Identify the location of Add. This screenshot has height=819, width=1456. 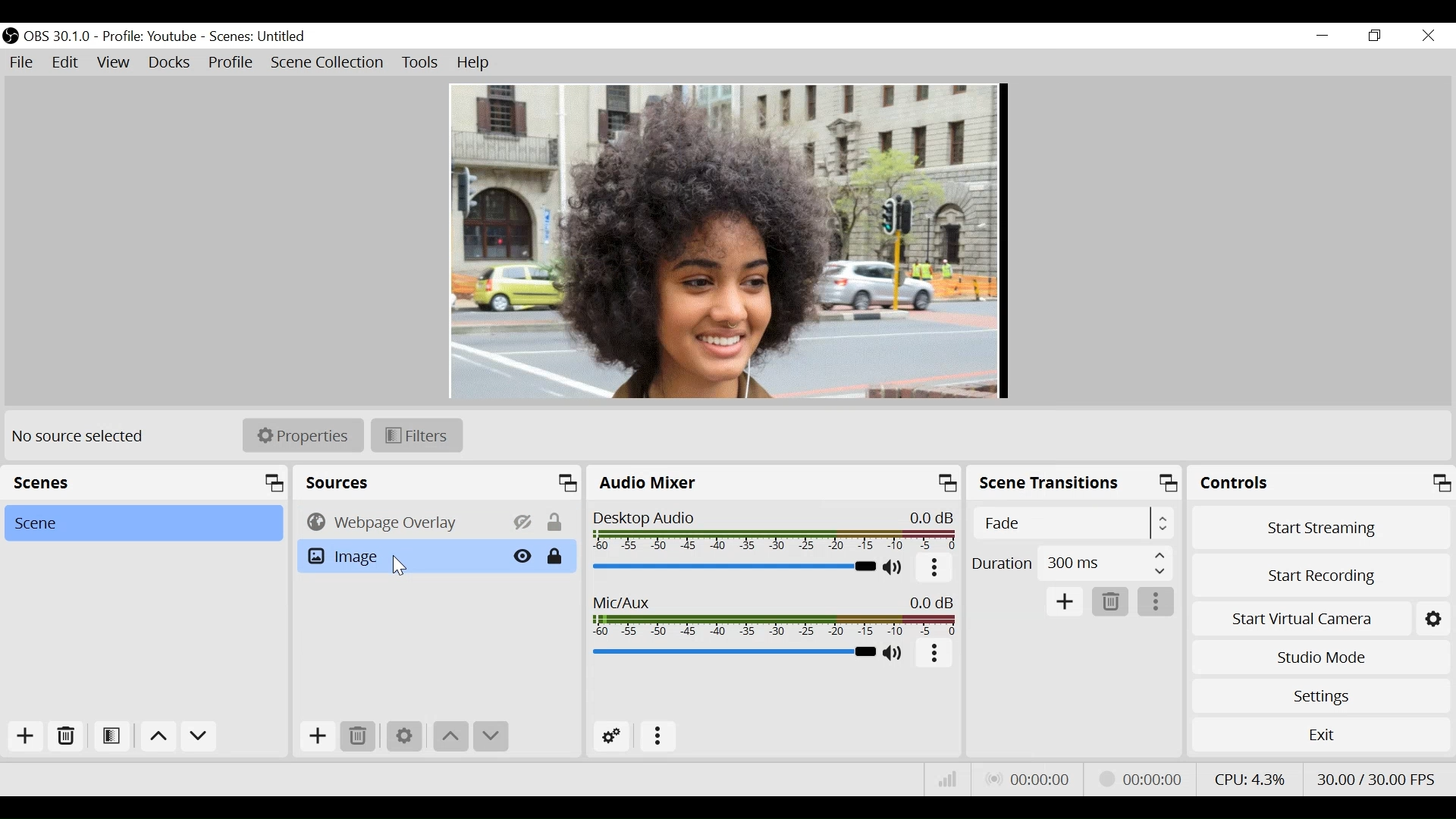
(27, 738).